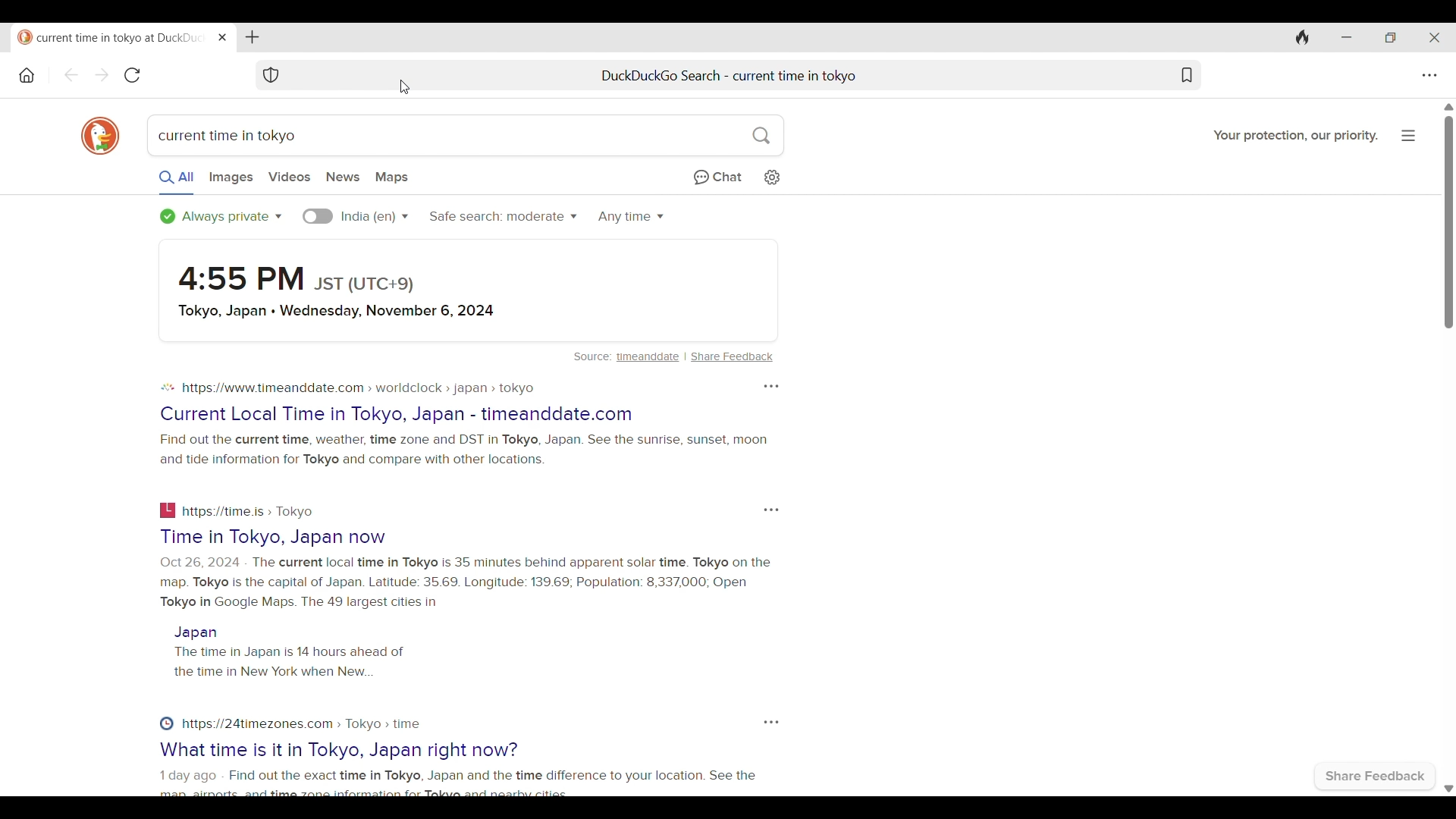  Describe the element at coordinates (374, 217) in the screenshot. I see `Language options` at that location.